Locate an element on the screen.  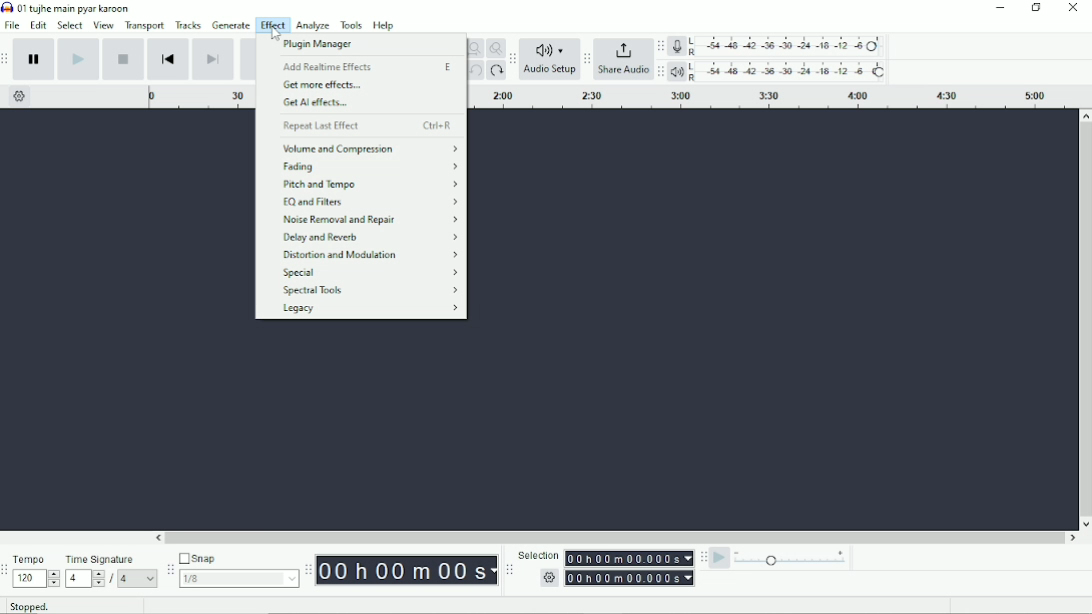
Play-at-speed is located at coordinates (720, 559).